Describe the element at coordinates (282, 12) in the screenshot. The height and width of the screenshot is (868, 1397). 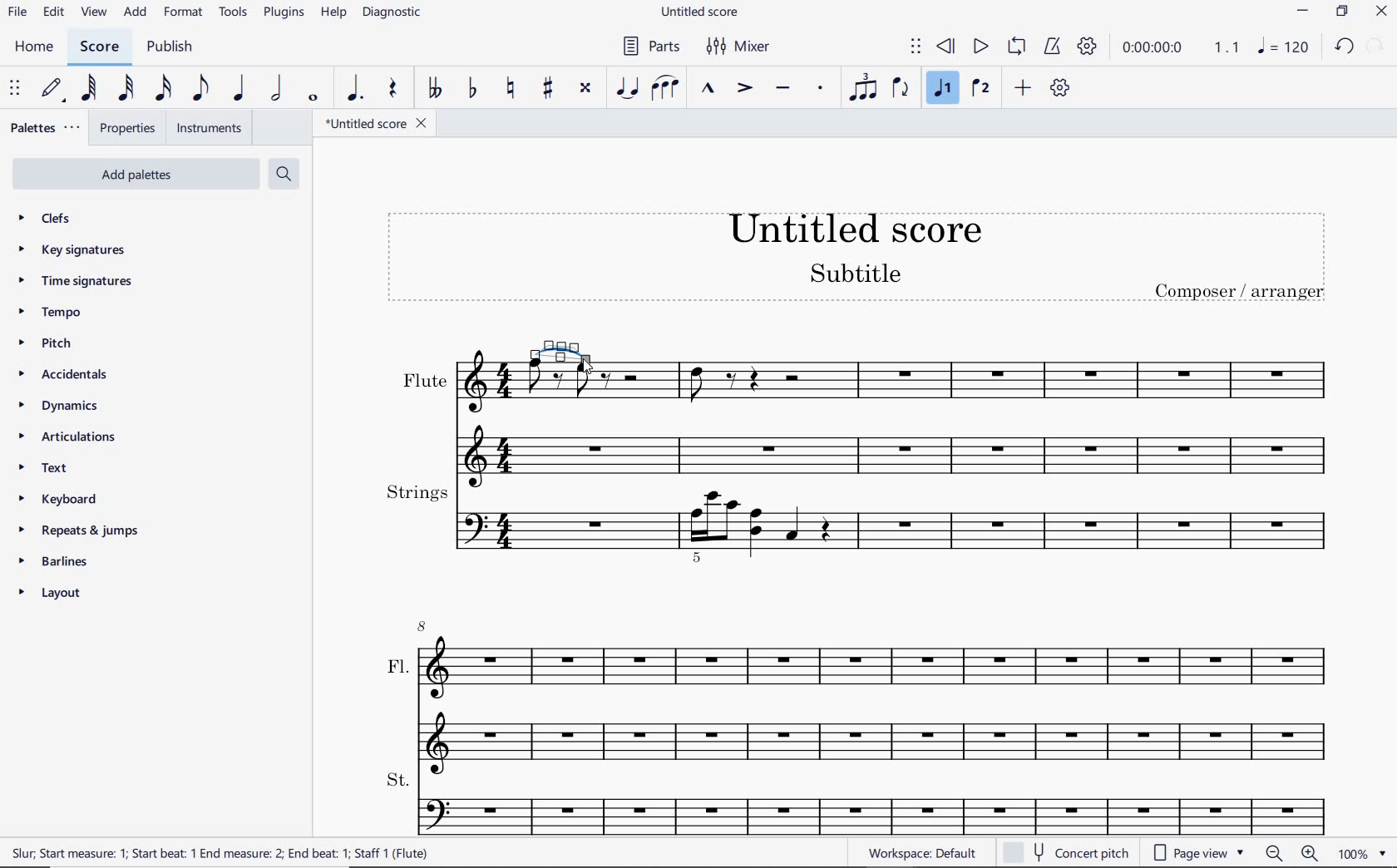
I see `plugins` at that location.